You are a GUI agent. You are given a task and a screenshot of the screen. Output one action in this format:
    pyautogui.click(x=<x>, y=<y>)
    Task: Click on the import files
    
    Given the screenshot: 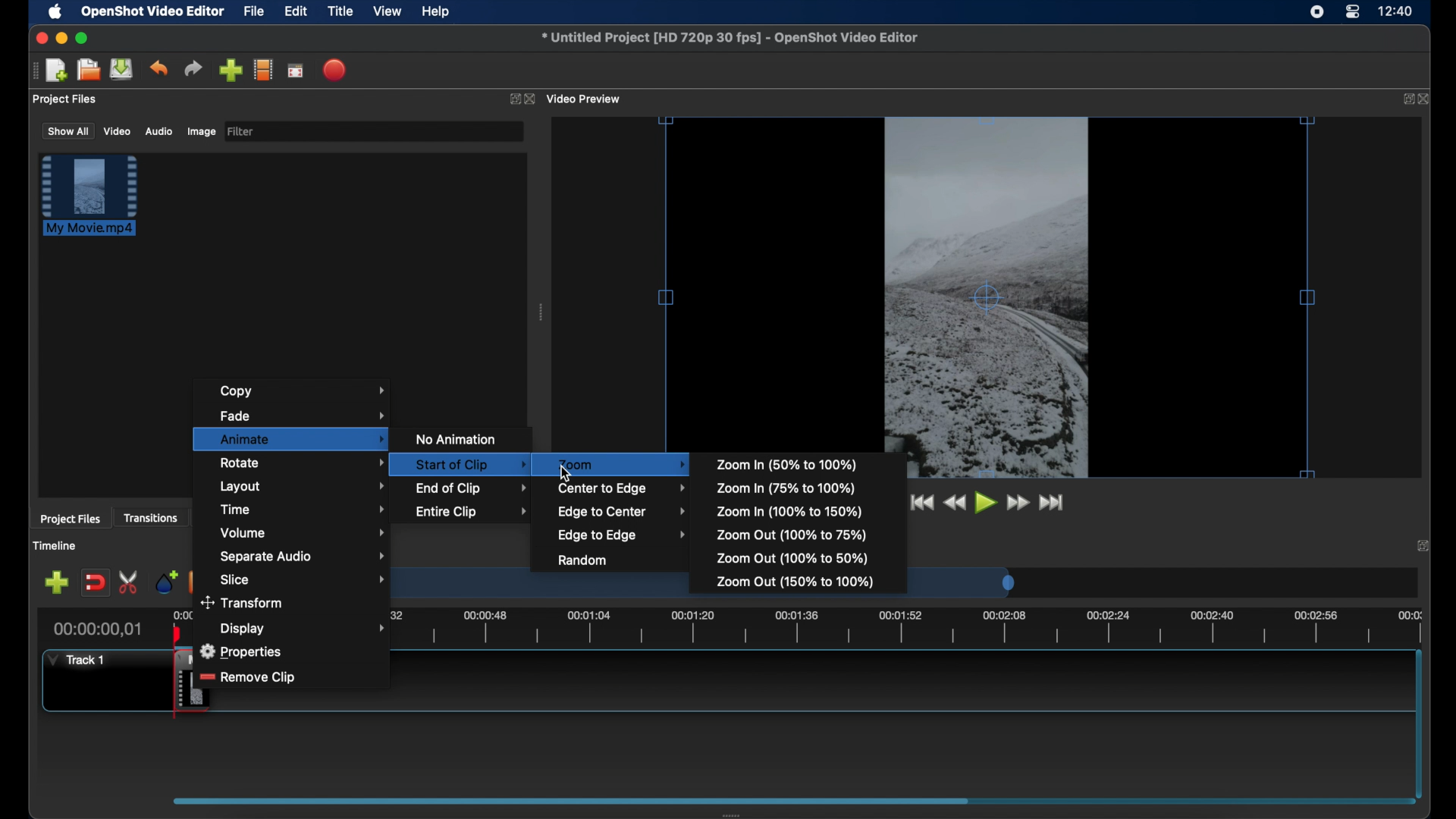 What is the action you would take?
    pyautogui.click(x=231, y=71)
    